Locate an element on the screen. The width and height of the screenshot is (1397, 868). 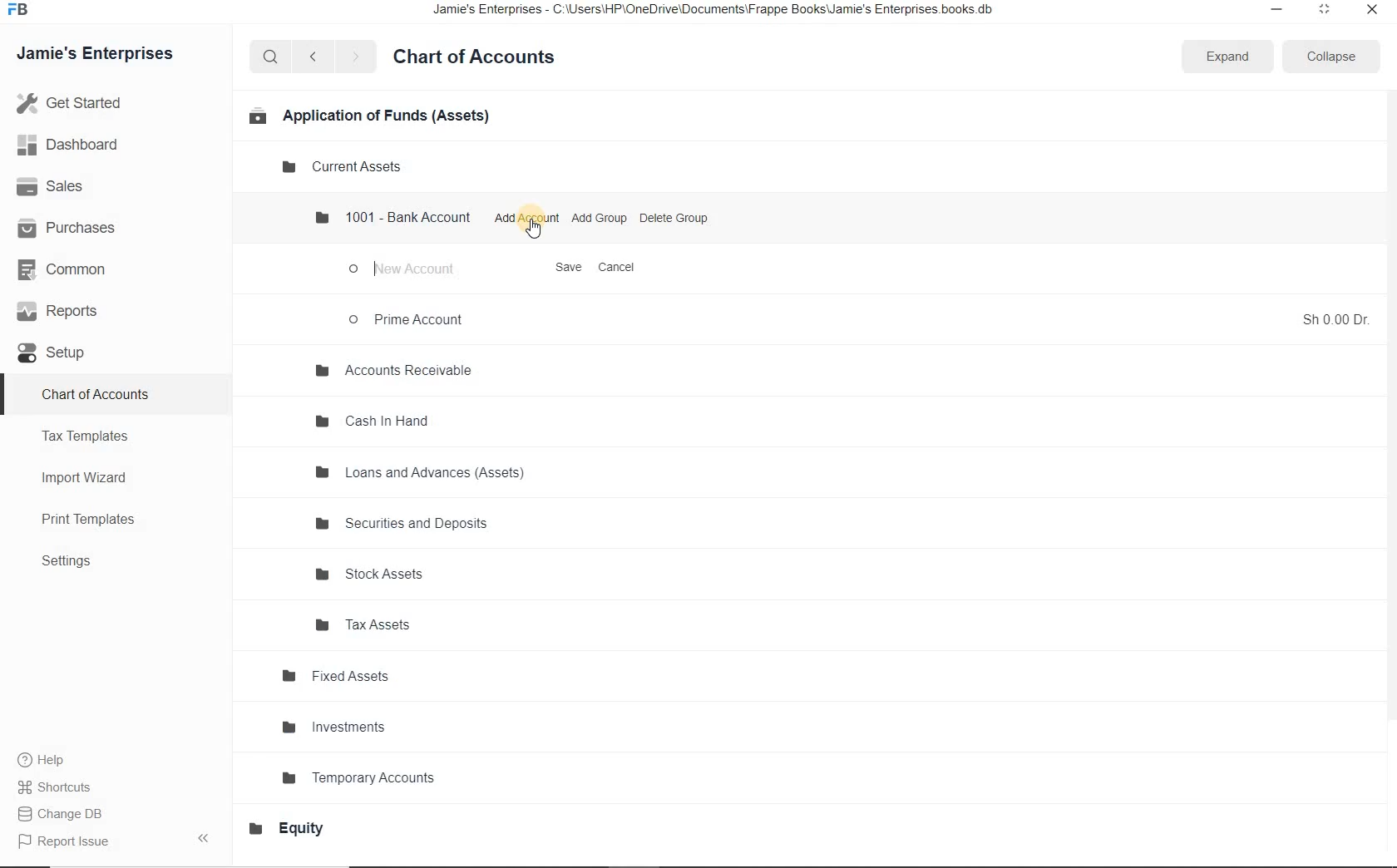
Cash In Hand is located at coordinates (375, 422).